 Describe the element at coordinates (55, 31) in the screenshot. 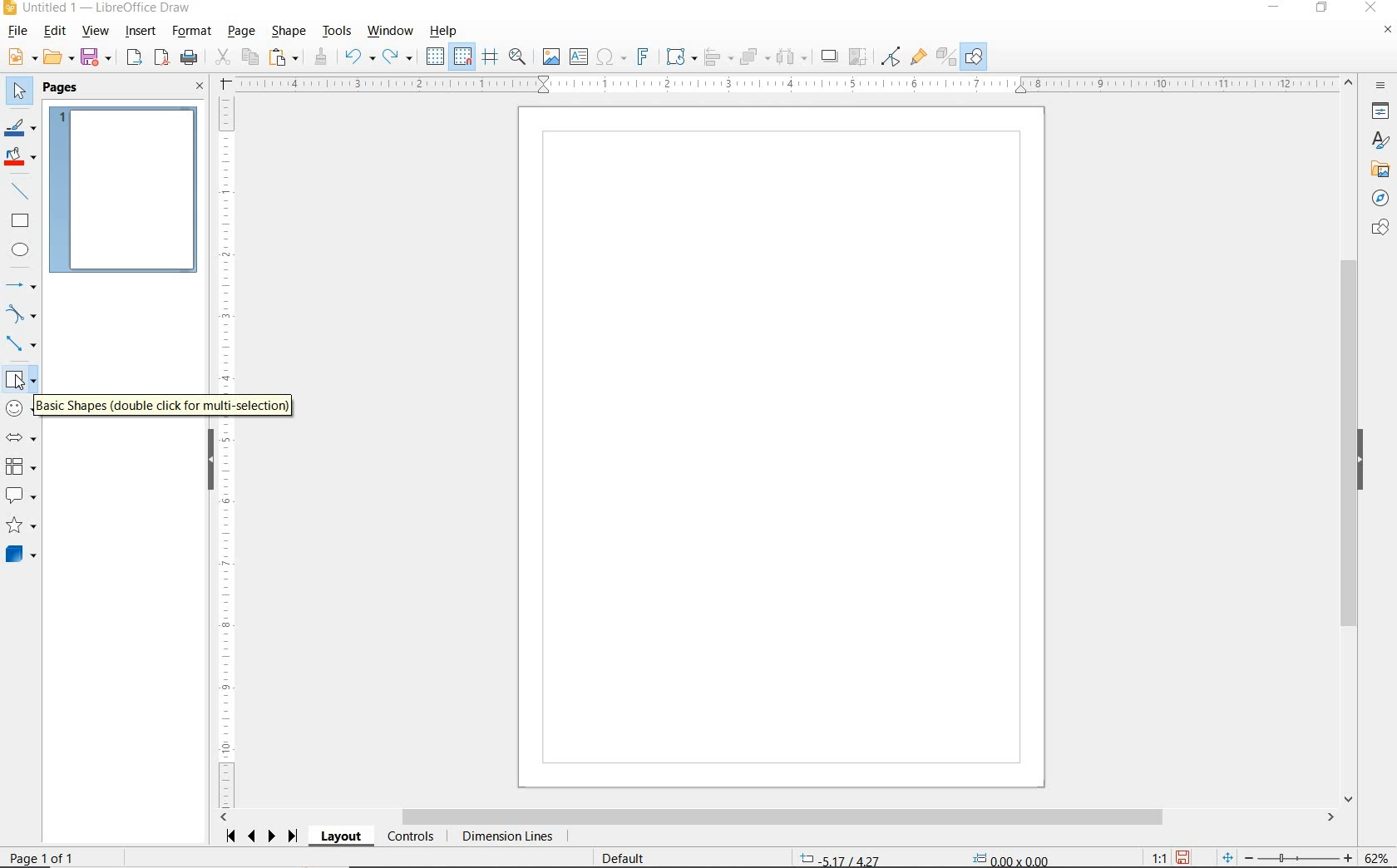

I see `EDIT` at that location.